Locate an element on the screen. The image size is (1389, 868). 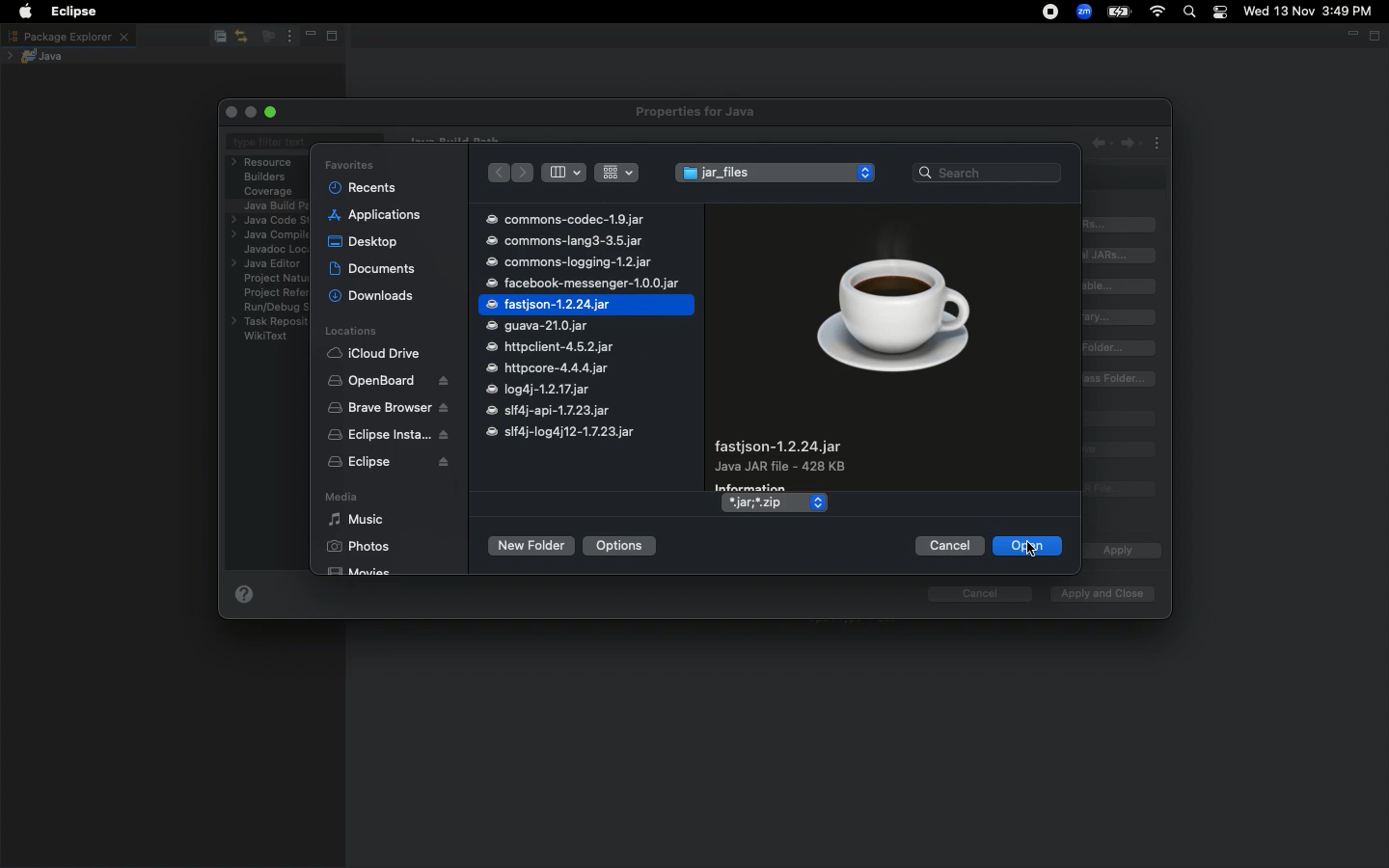
Eclipse is located at coordinates (389, 464).